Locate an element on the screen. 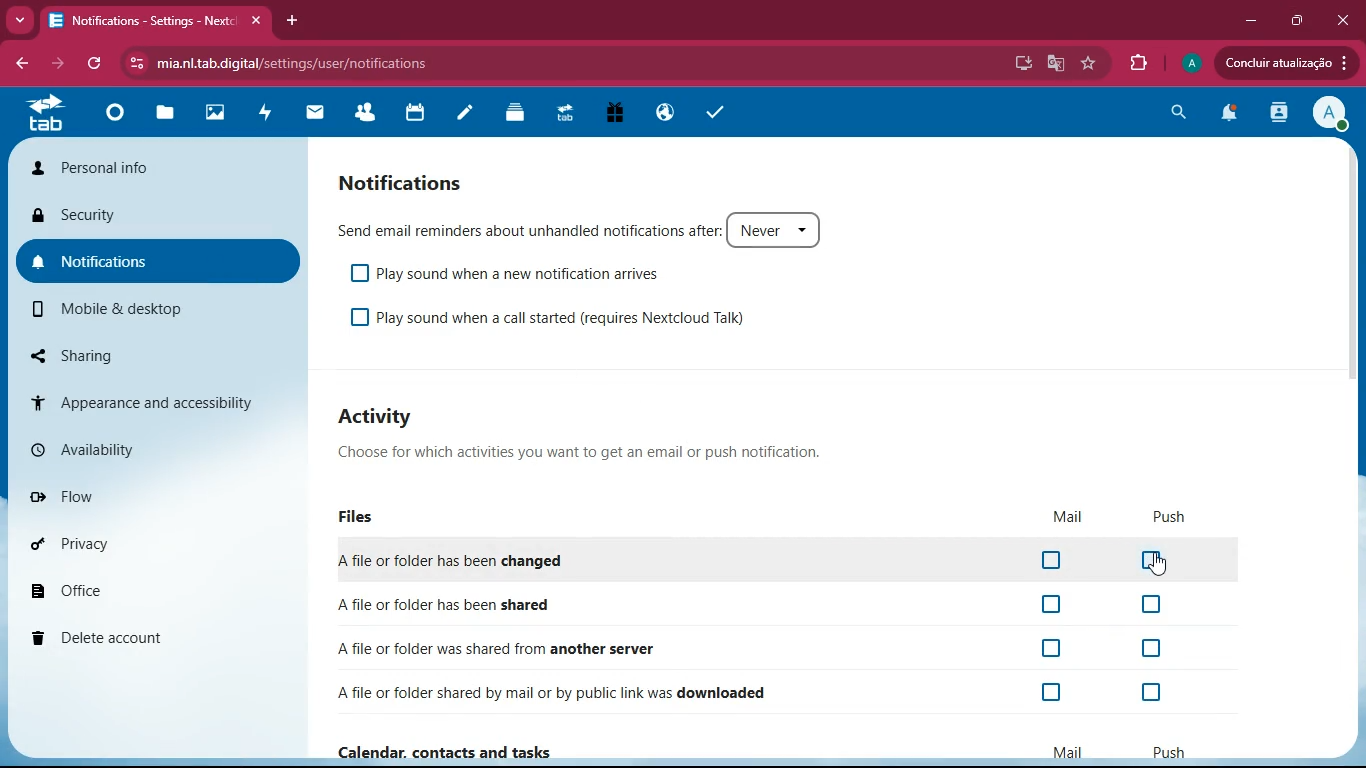  layers is located at coordinates (517, 112).